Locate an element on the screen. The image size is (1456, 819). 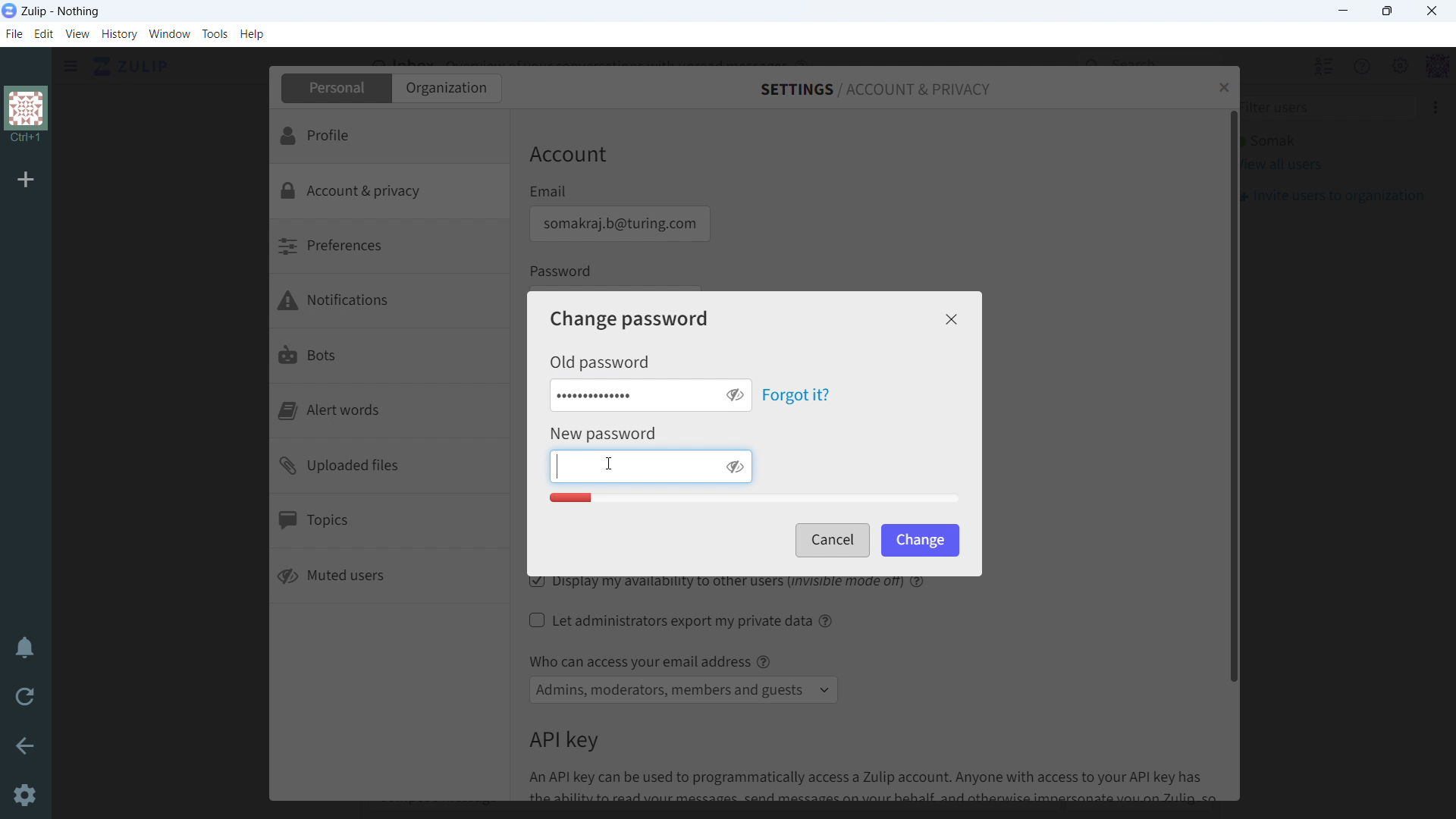
enable do not disturb is located at coordinates (25, 647).